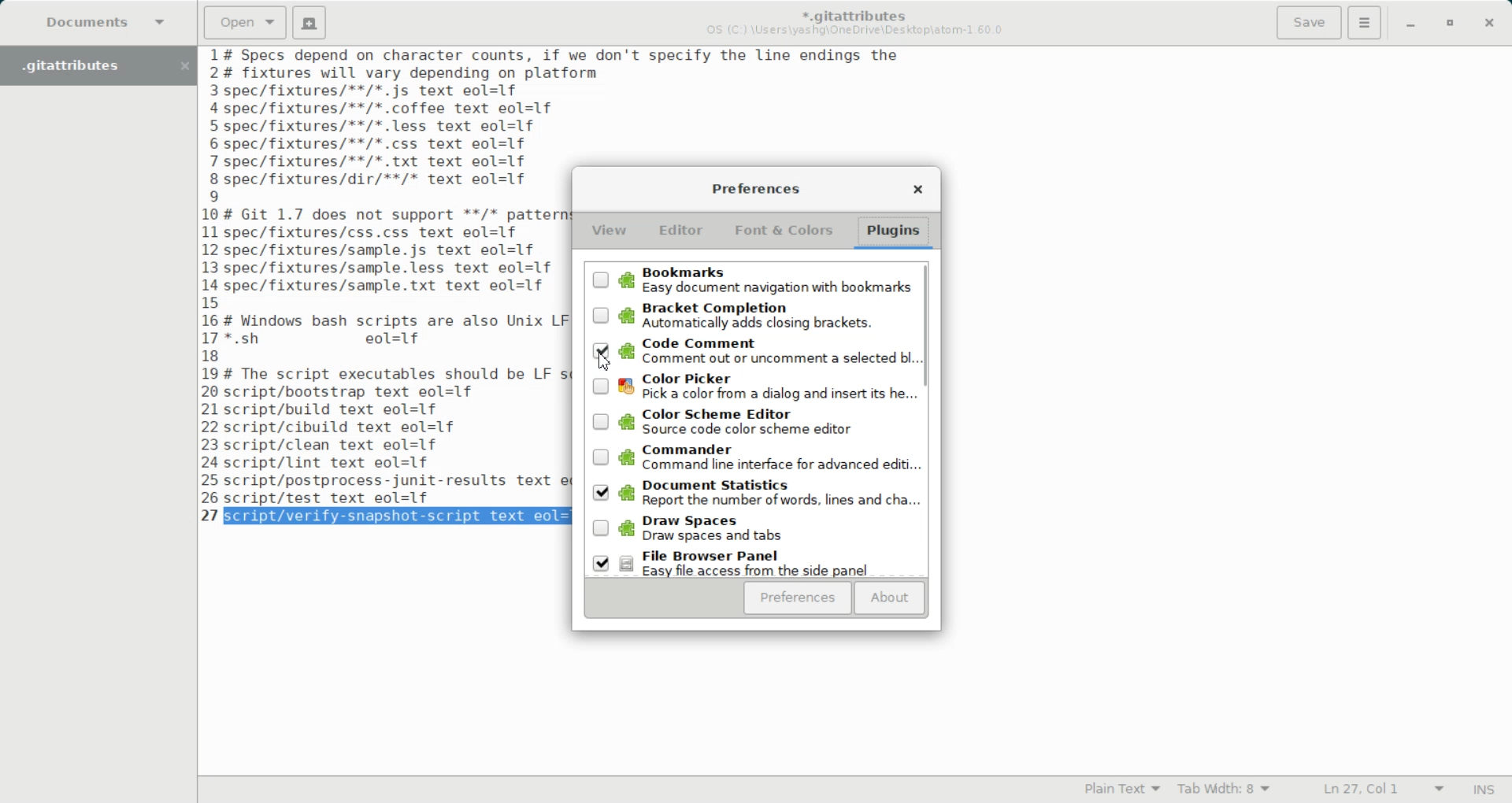 The image size is (1512, 803). What do you see at coordinates (850, 12) in the screenshot?
I see `*.gitattributes` at bounding box center [850, 12].